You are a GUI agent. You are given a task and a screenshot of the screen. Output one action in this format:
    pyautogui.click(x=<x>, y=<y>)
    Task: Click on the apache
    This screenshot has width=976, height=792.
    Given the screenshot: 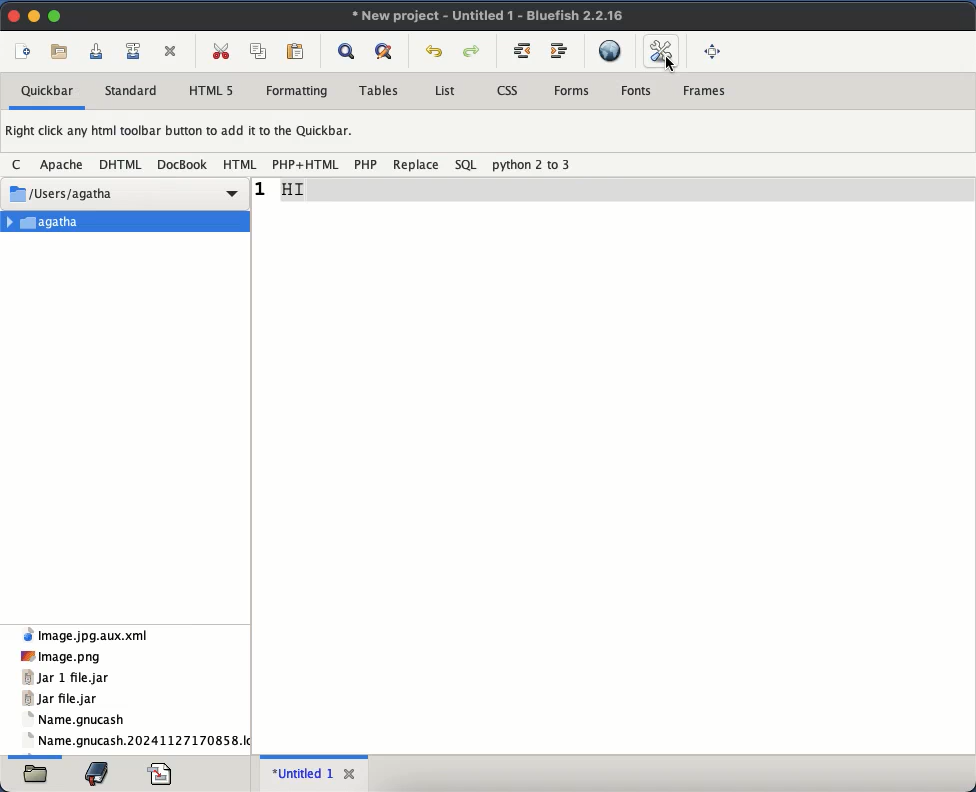 What is the action you would take?
    pyautogui.click(x=61, y=164)
    